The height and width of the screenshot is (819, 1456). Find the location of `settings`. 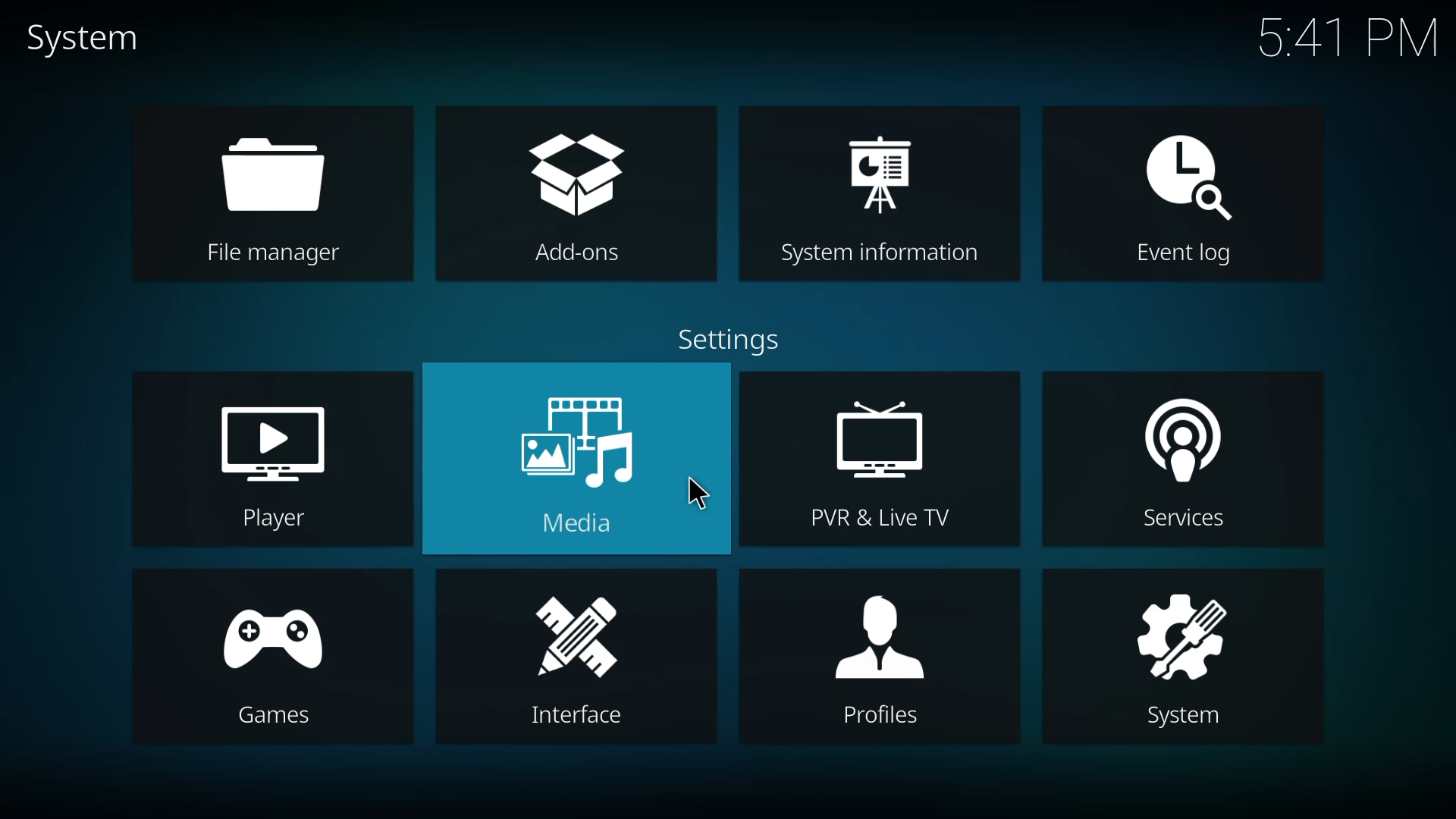

settings is located at coordinates (726, 342).